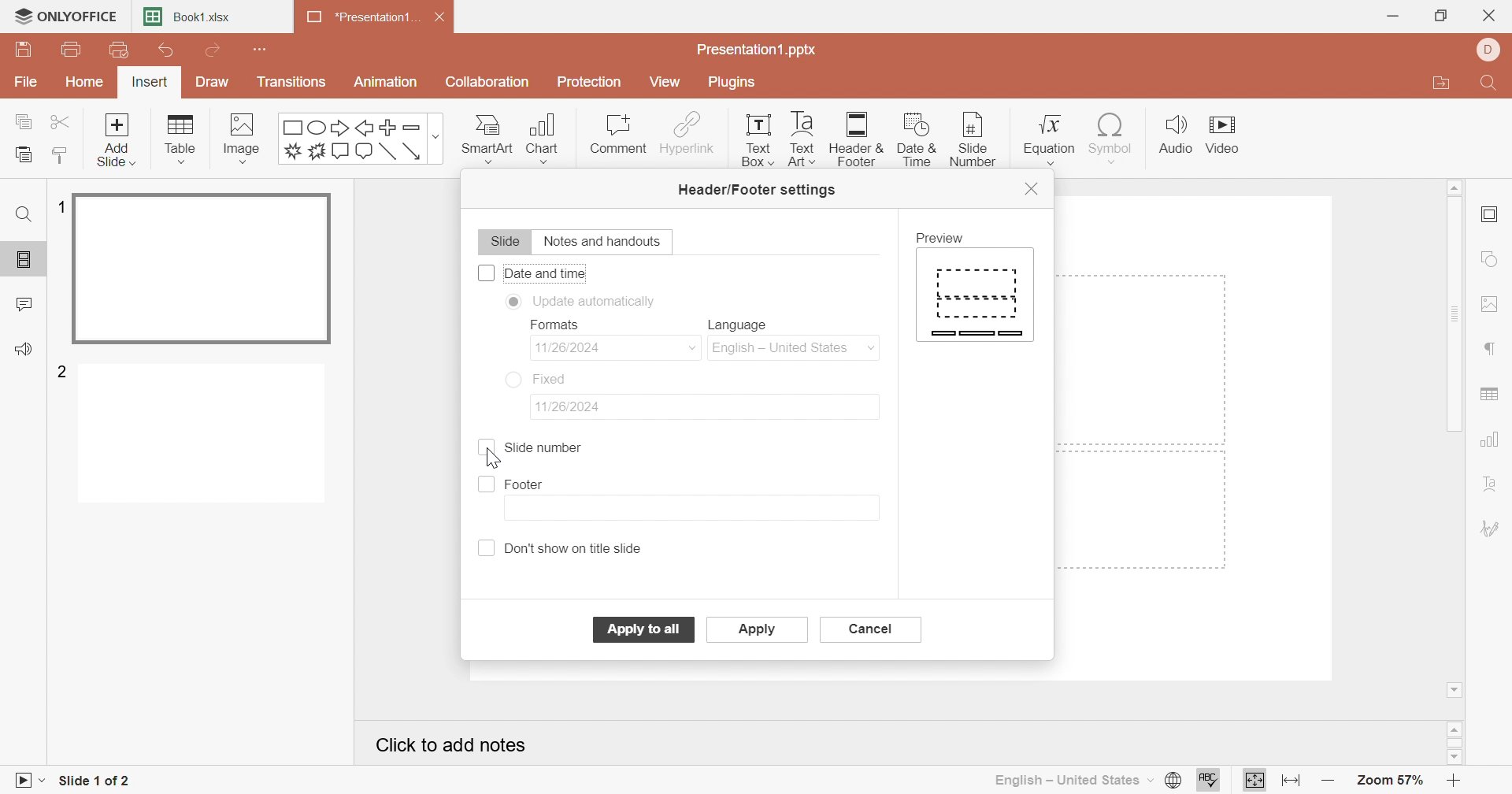 The height and width of the screenshot is (794, 1512). Describe the element at coordinates (975, 137) in the screenshot. I see `cursor` at that location.